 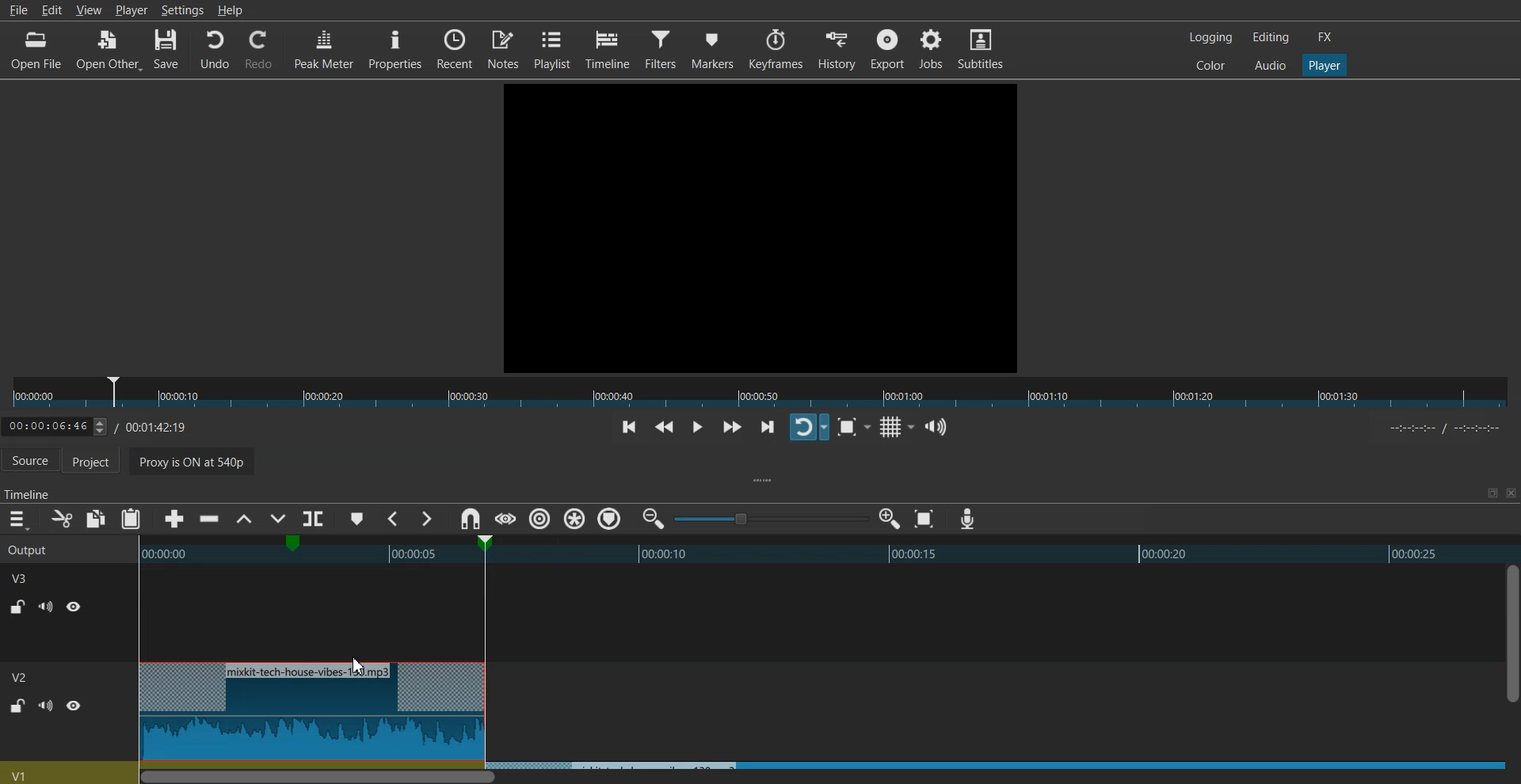 I want to click on Timeline, so click(x=108, y=424).